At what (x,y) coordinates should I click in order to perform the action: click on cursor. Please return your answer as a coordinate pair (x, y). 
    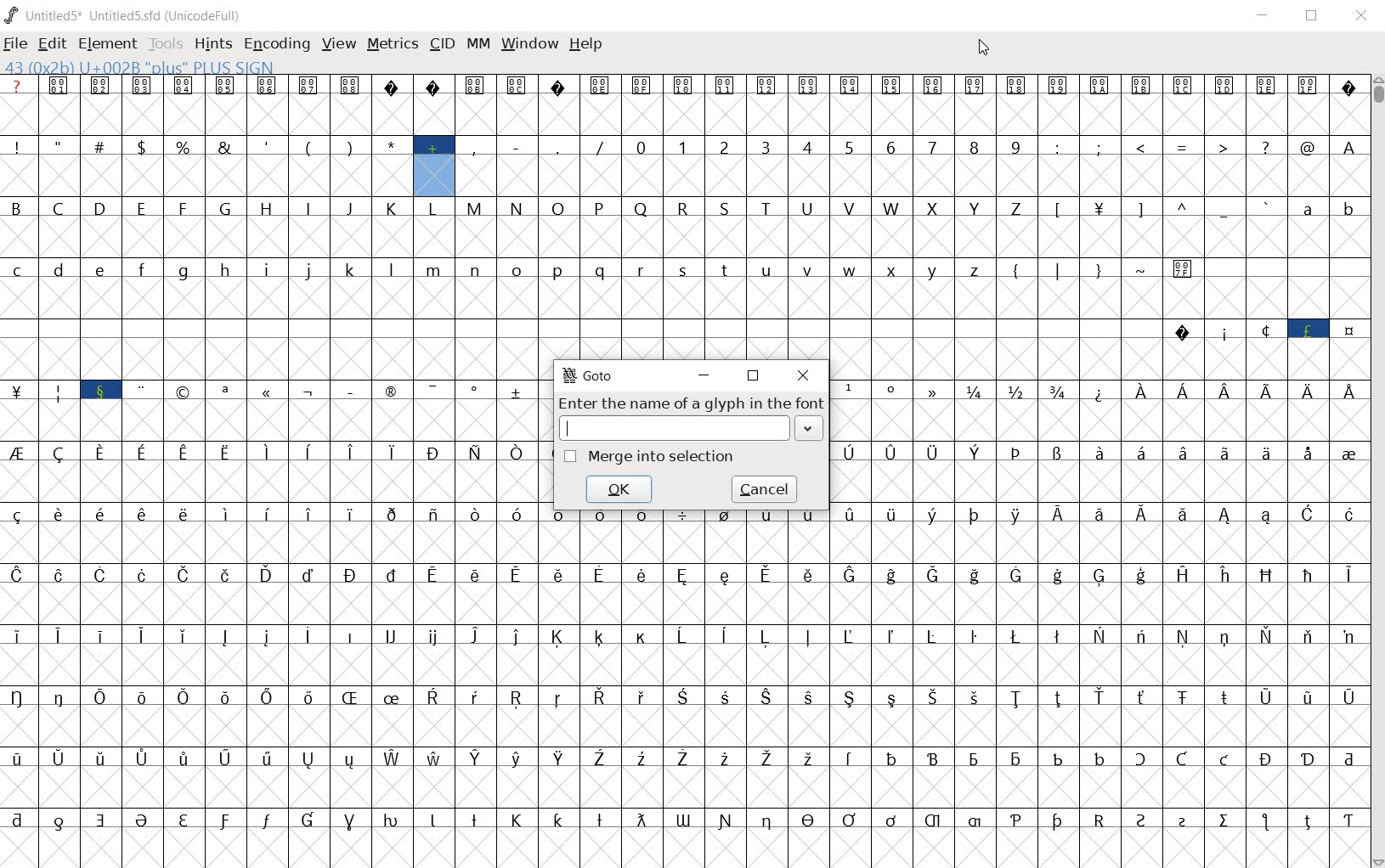
    Looking at the image, I should click on (983, 49).